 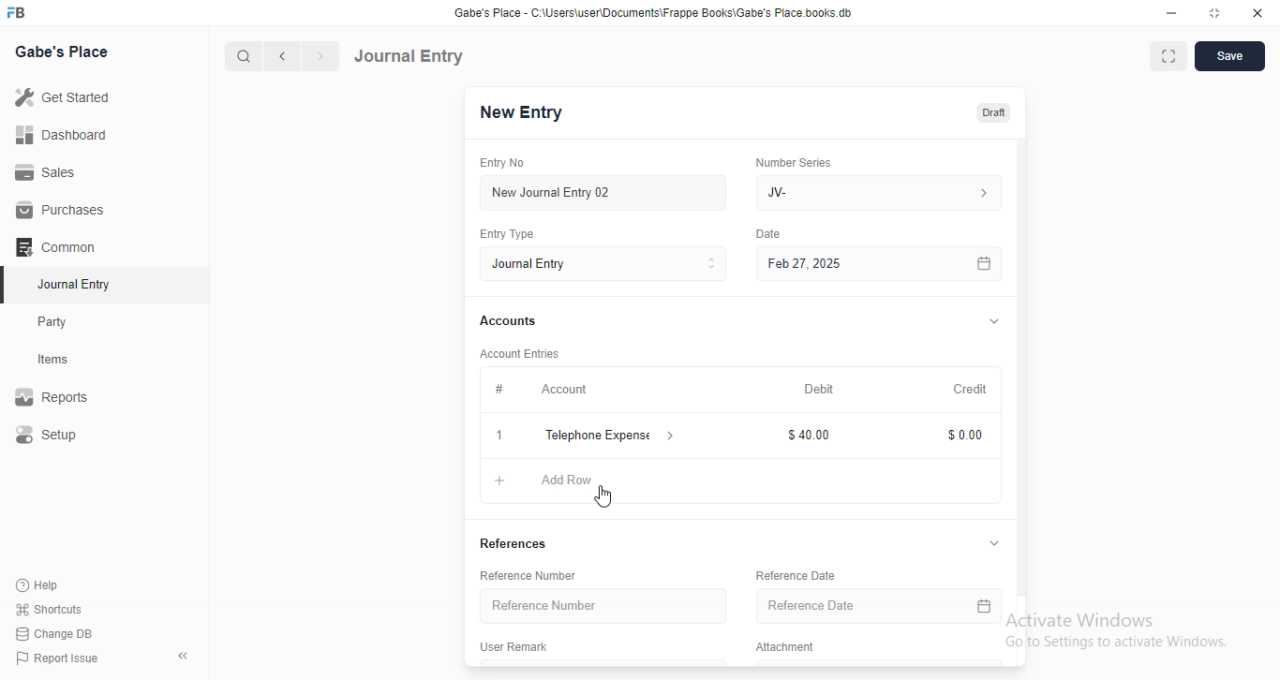 I want to click on ‘Common, so click(x=57, y=246).